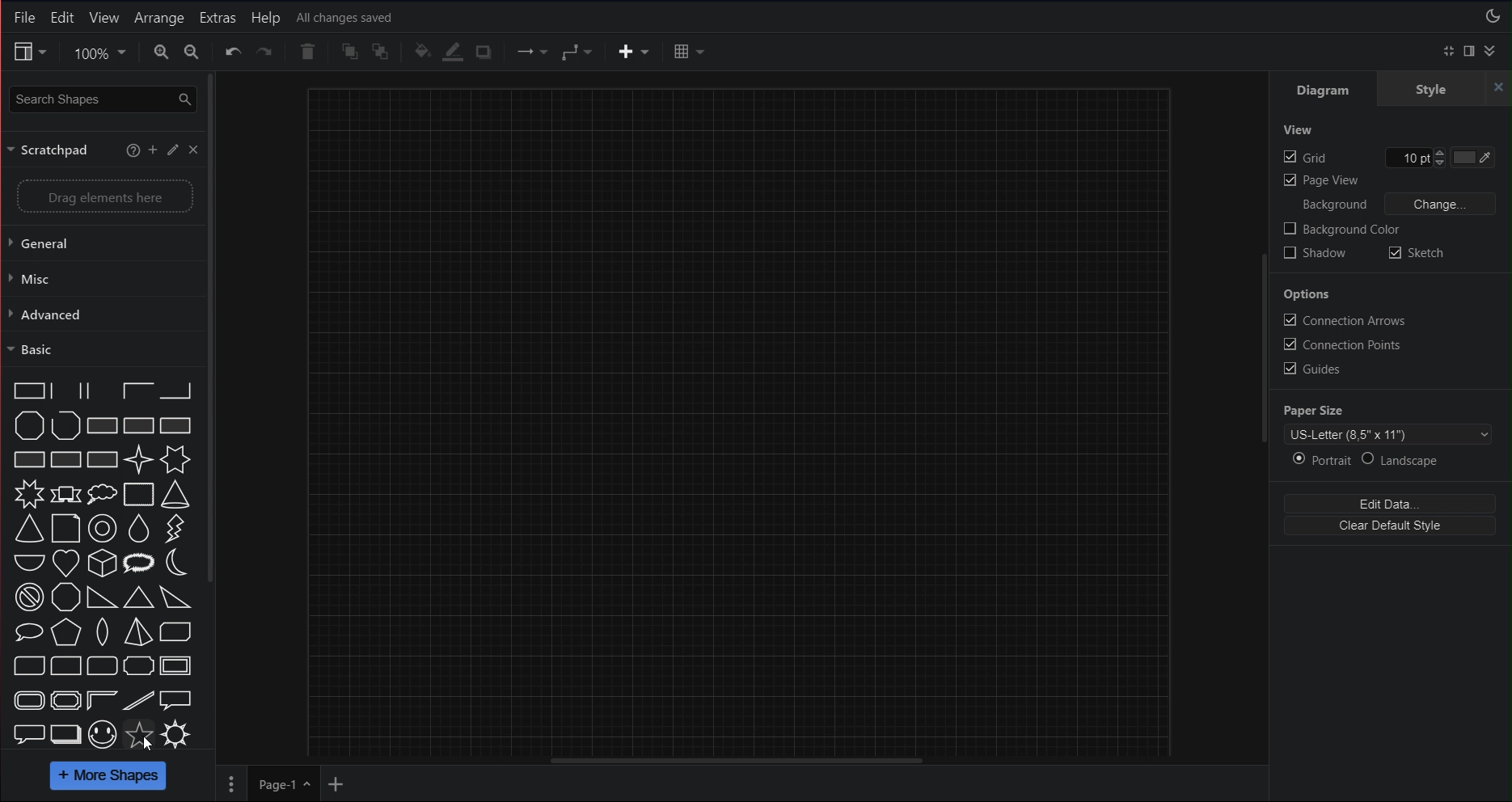 This screenshot has height=802, width=1512. What do you see at coordinates (1490, 50) in the screenshot?
I see `Collapse` at bounding box center [1490, 50].